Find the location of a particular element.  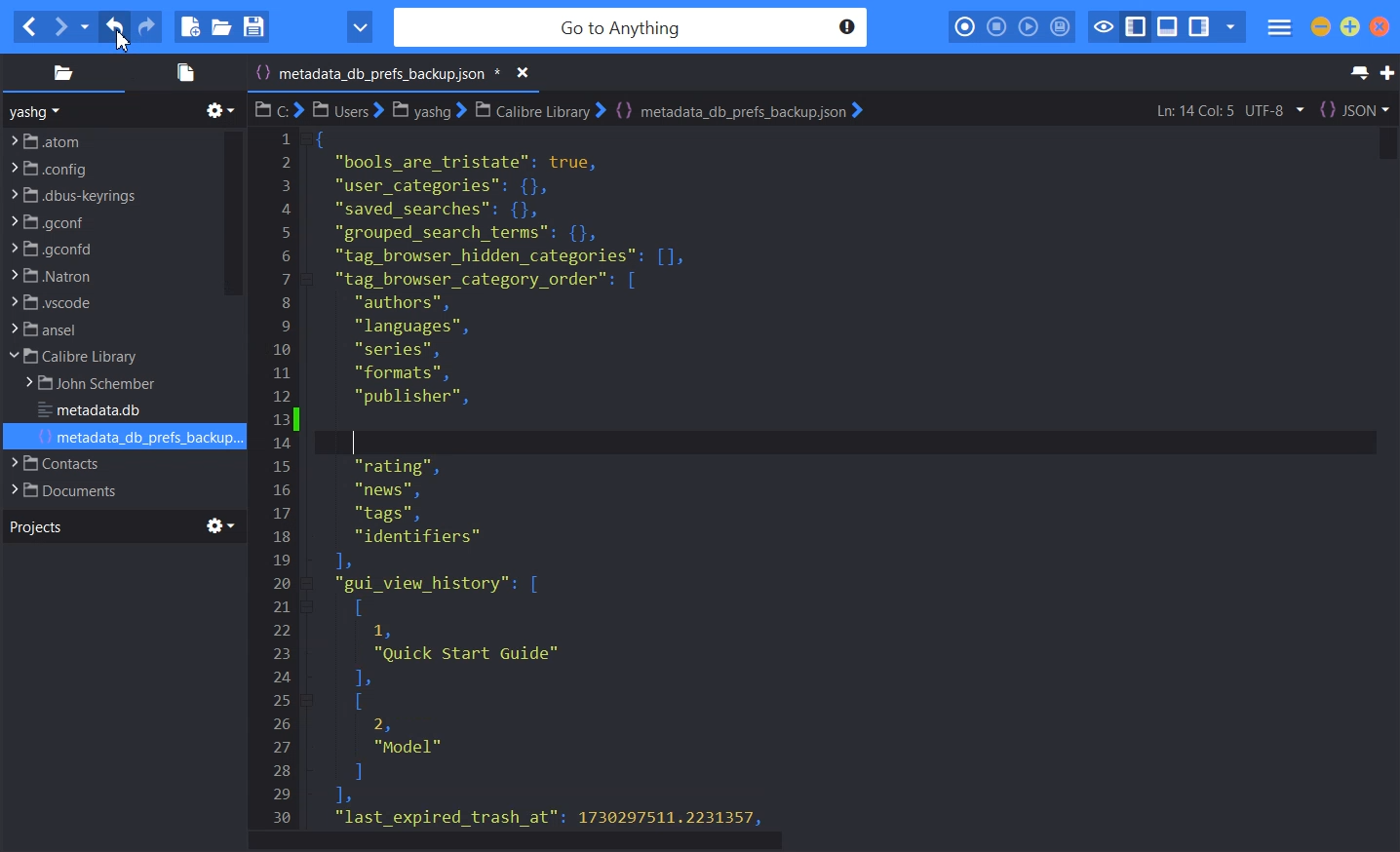

Open file is located at coordinates (221, 26).